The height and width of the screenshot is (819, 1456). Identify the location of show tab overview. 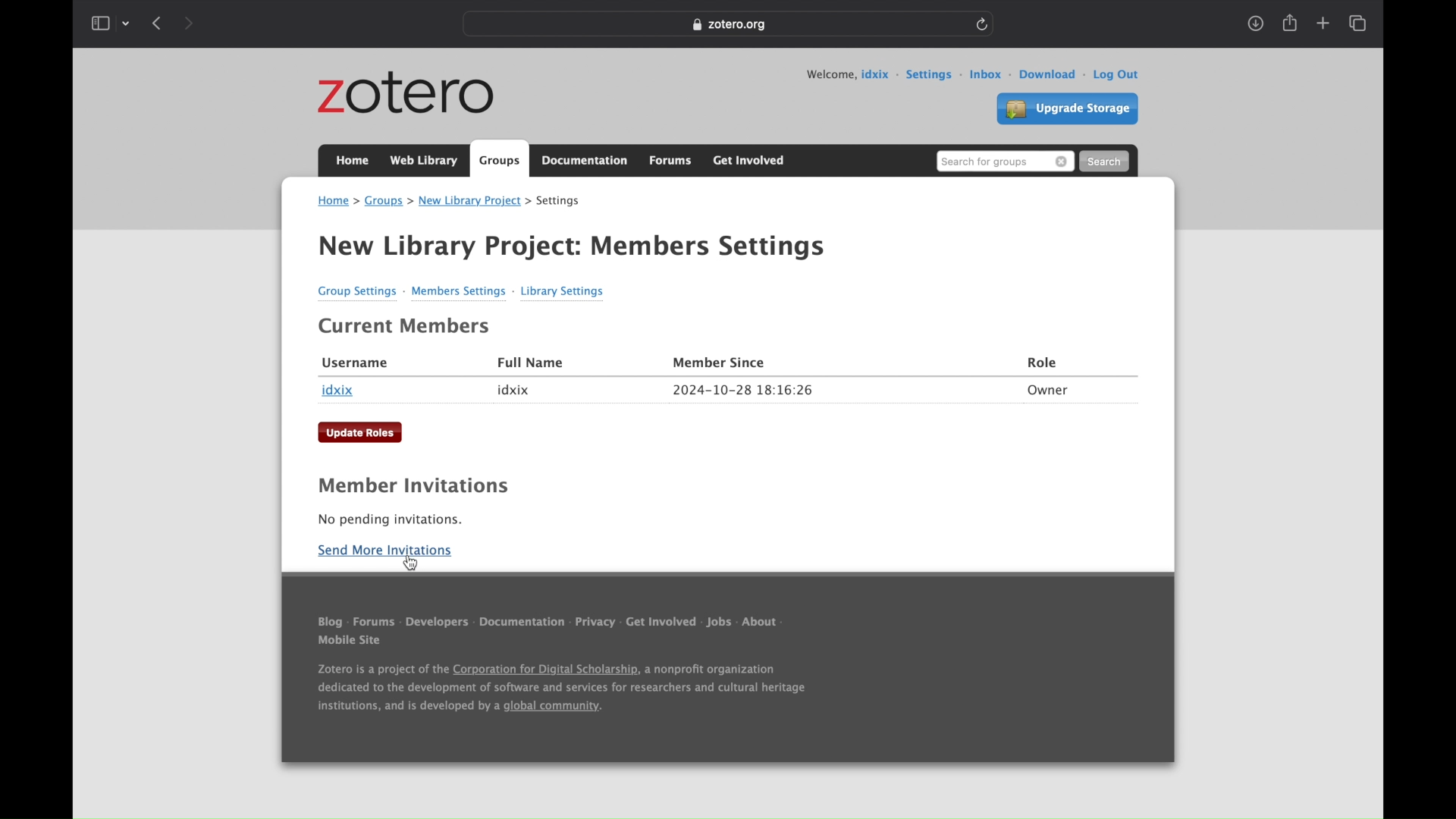
(1357, 24).